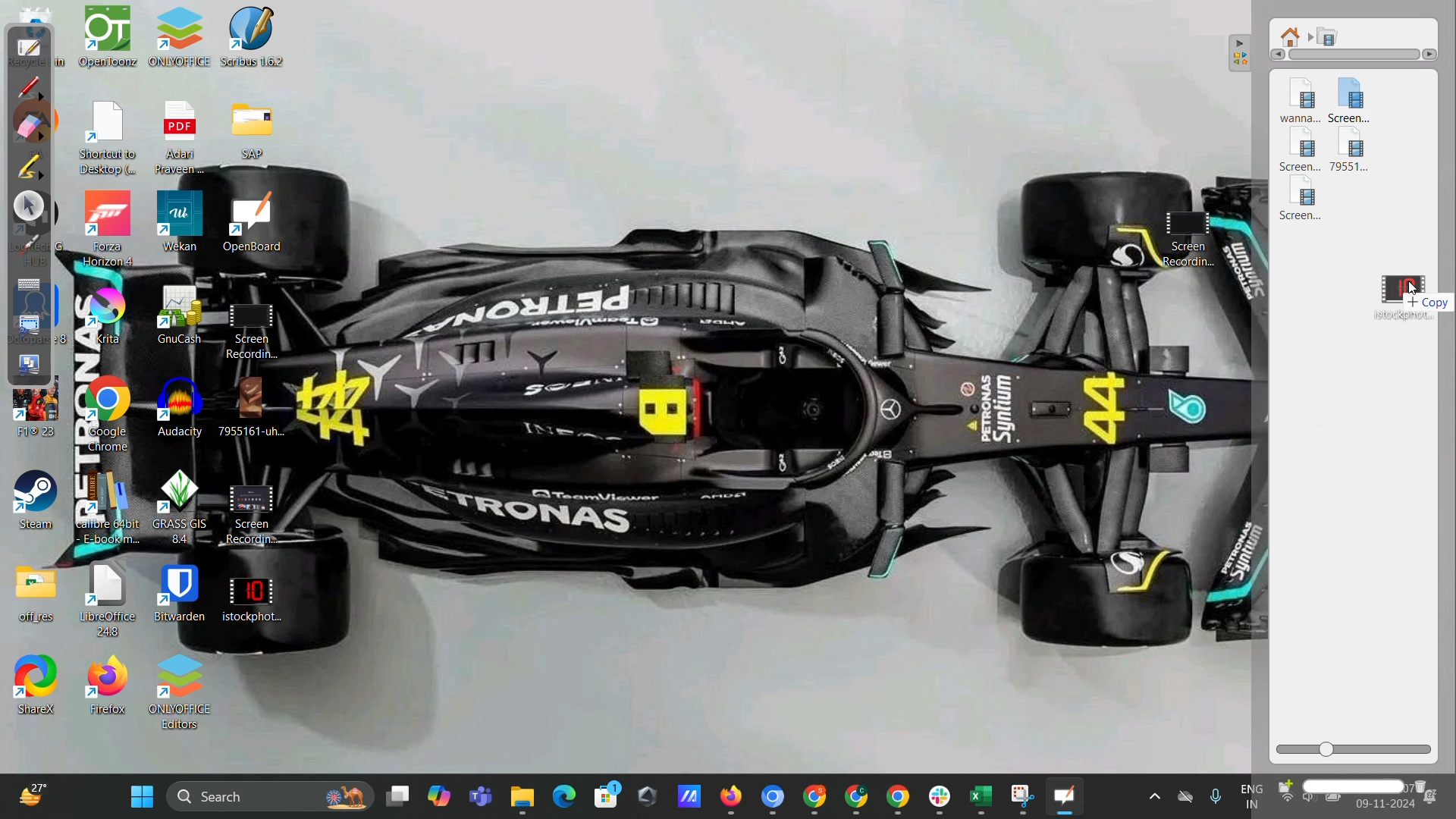 This screenshot has width=1456, height=819. I want to click on Wekan, so click(181, 223).